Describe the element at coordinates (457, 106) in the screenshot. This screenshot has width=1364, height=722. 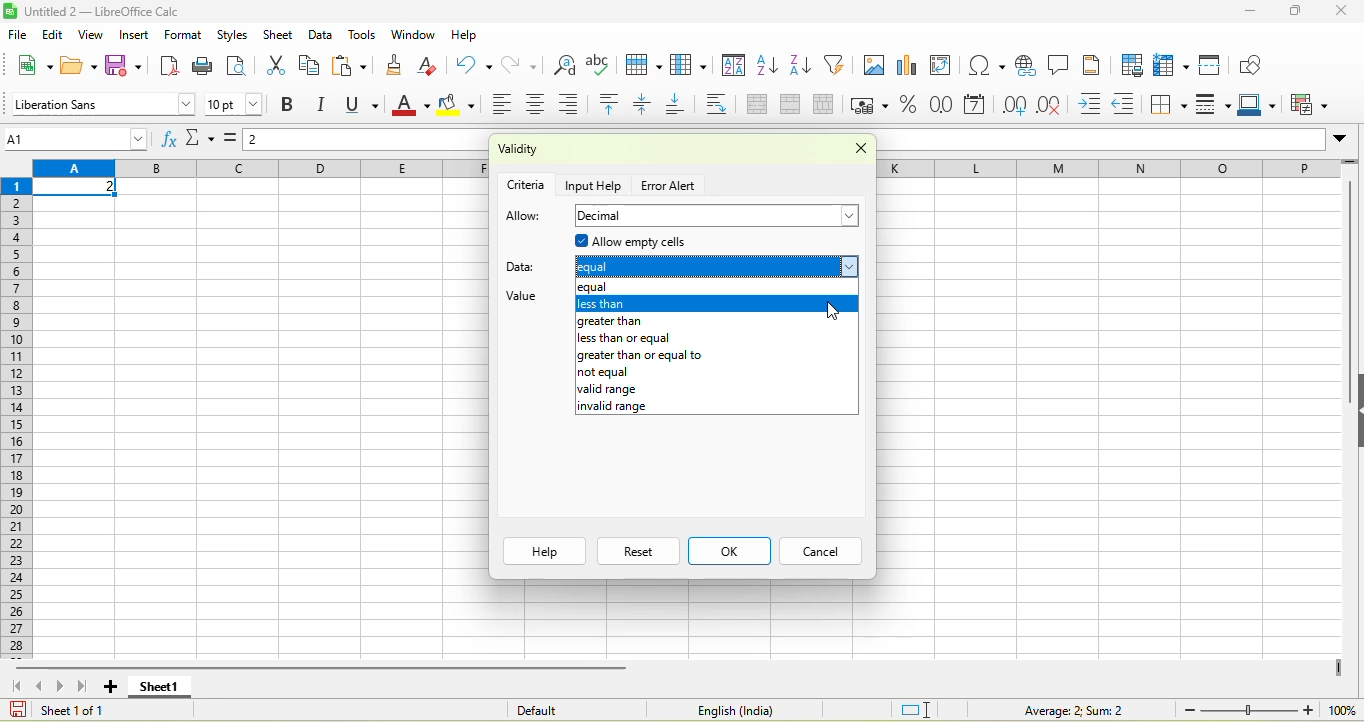
I see `background color` at that location.